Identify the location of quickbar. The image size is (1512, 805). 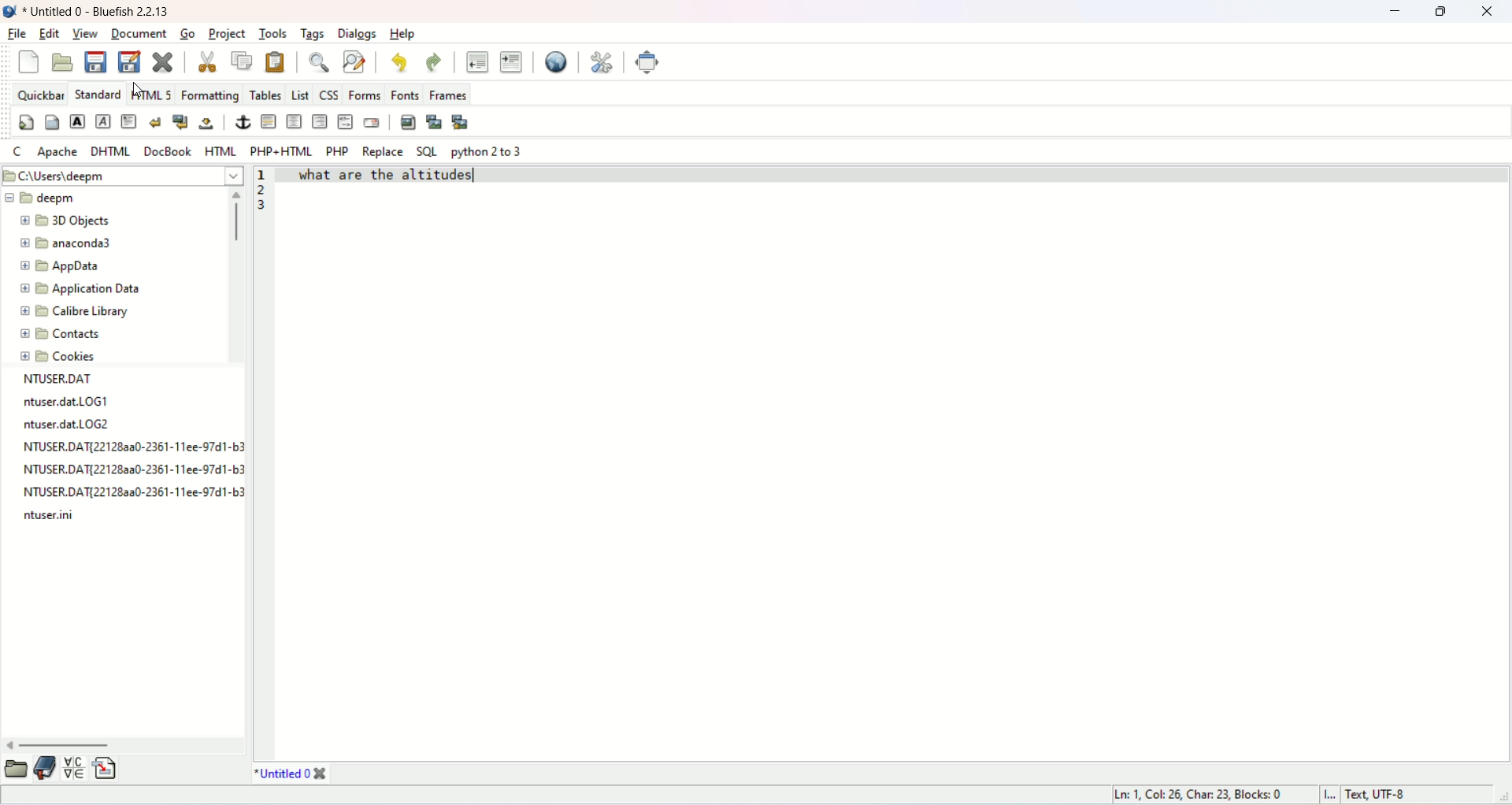
(39, 93).